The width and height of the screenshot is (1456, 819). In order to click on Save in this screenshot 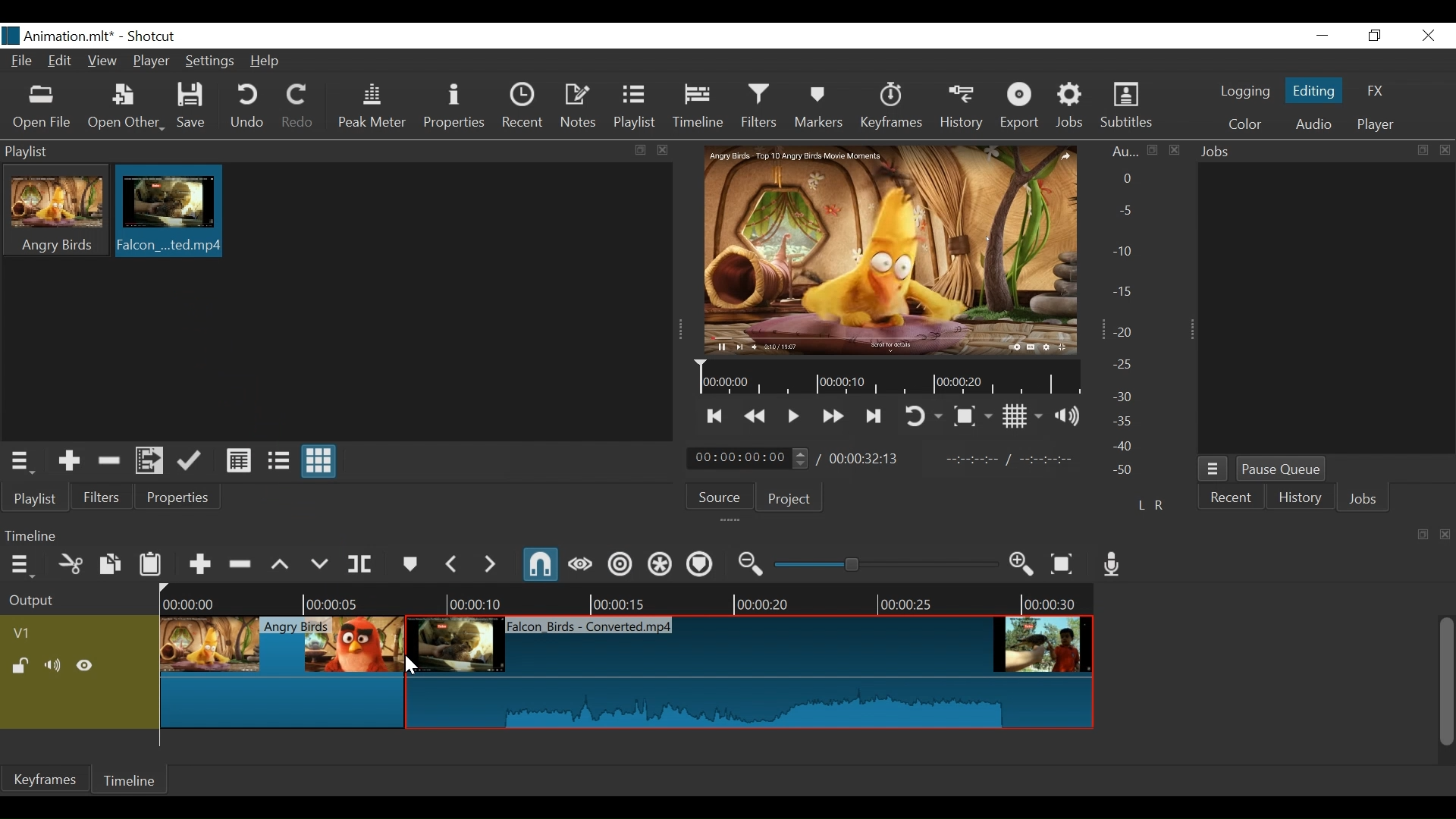, I will do `click(193, 106)`.